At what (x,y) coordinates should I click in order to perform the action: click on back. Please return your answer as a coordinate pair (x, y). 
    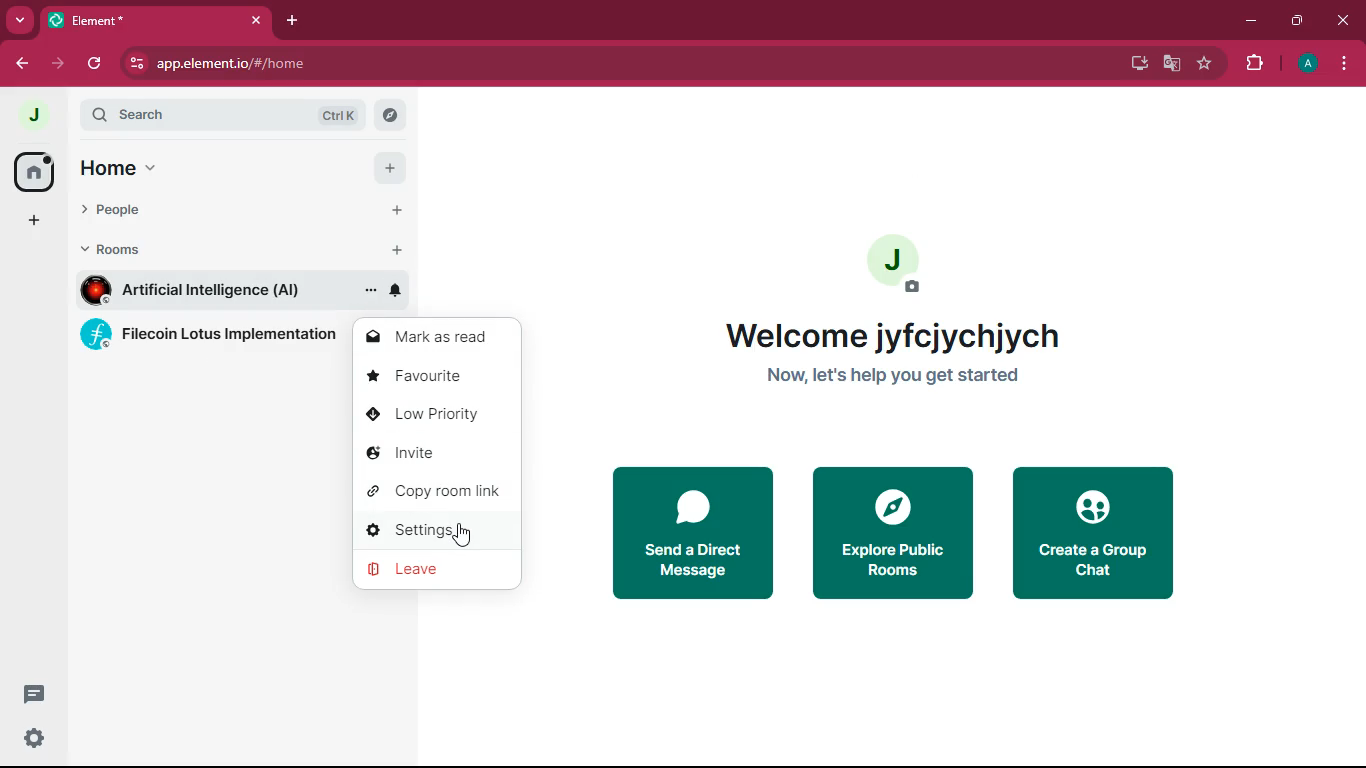
    Looking at the image, I should click on (23, 66).